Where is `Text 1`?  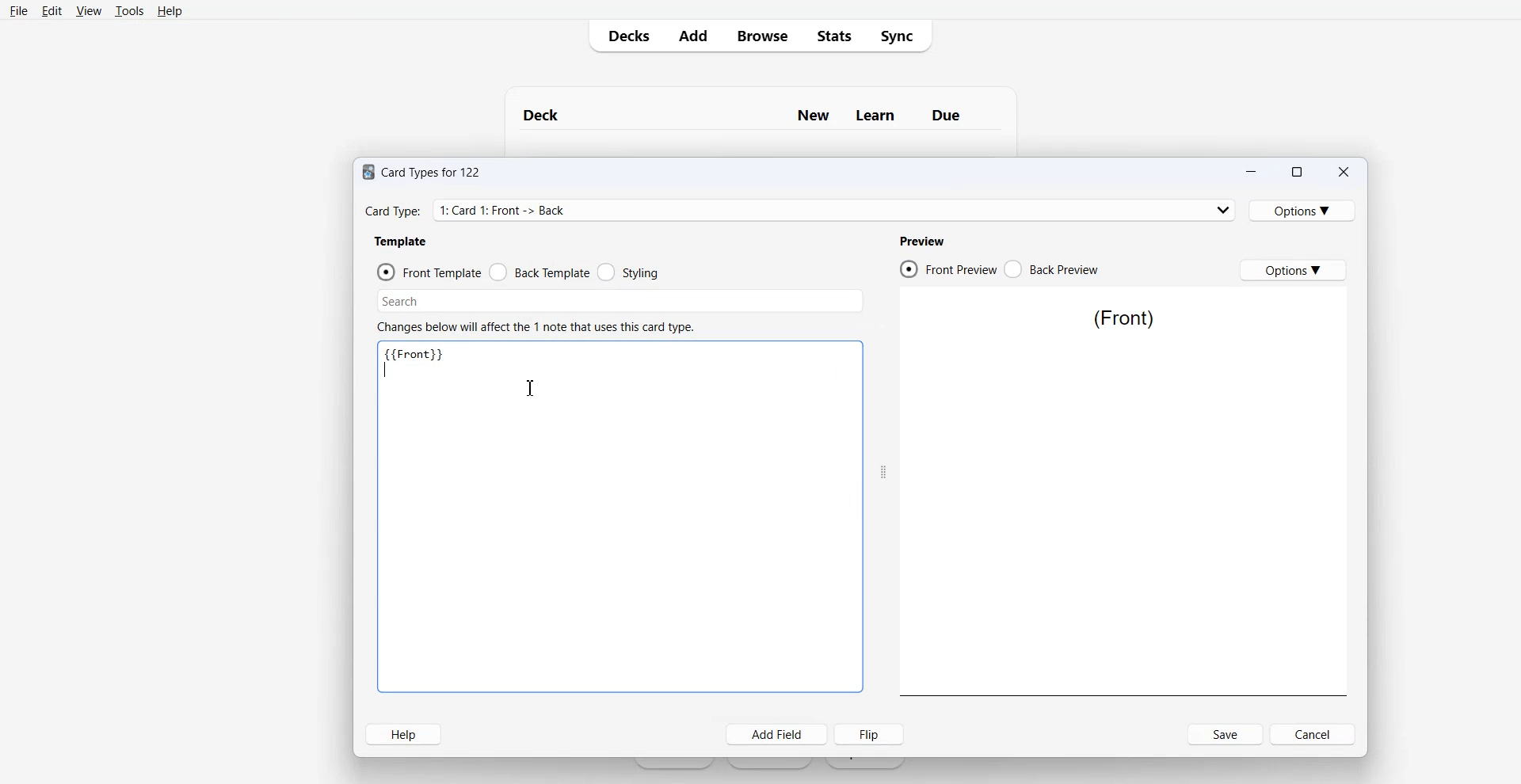 Text 1 is located at coordinates (423, 173).